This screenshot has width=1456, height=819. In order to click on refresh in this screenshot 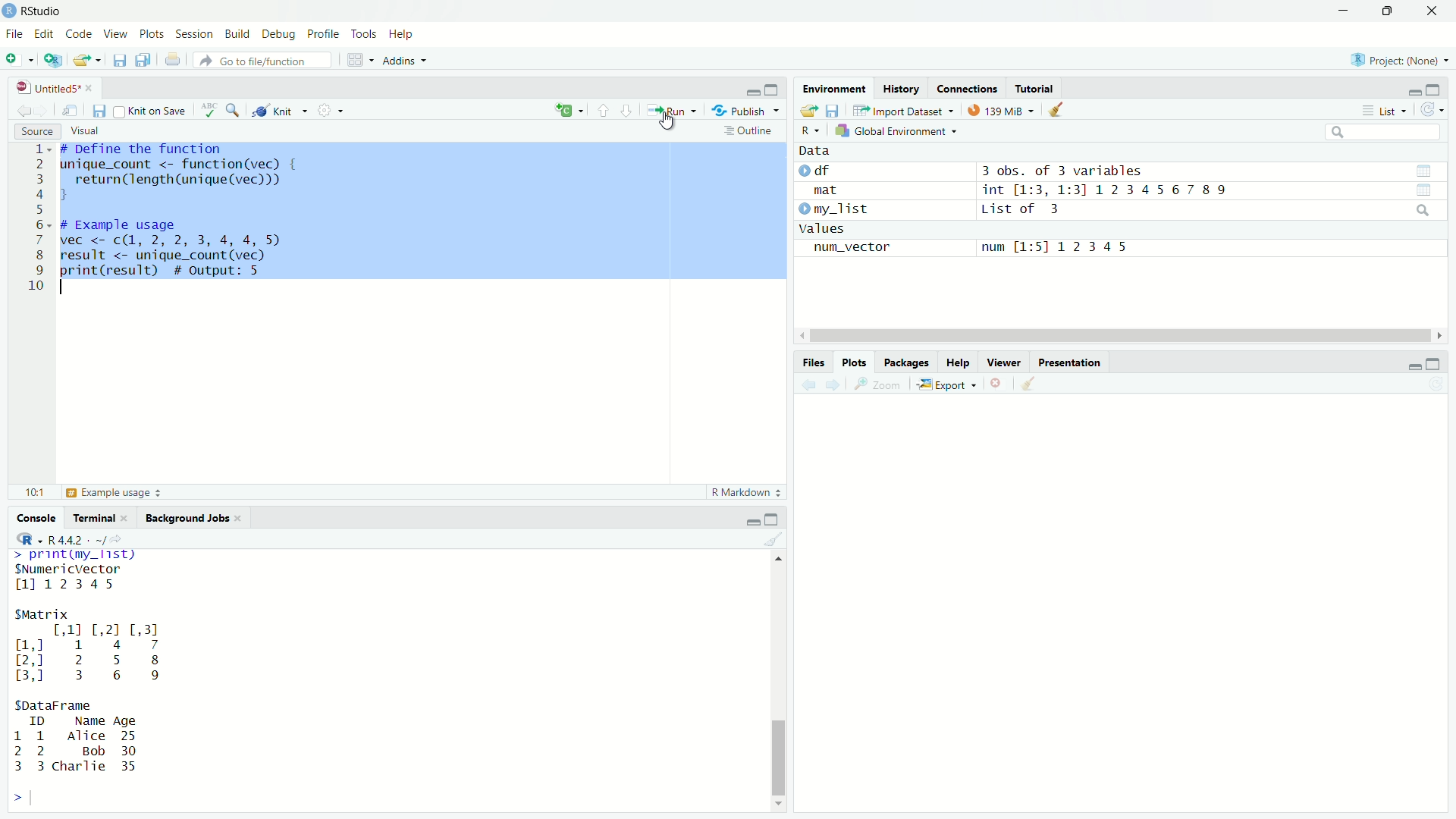, I will do `click(1432, 111)`.